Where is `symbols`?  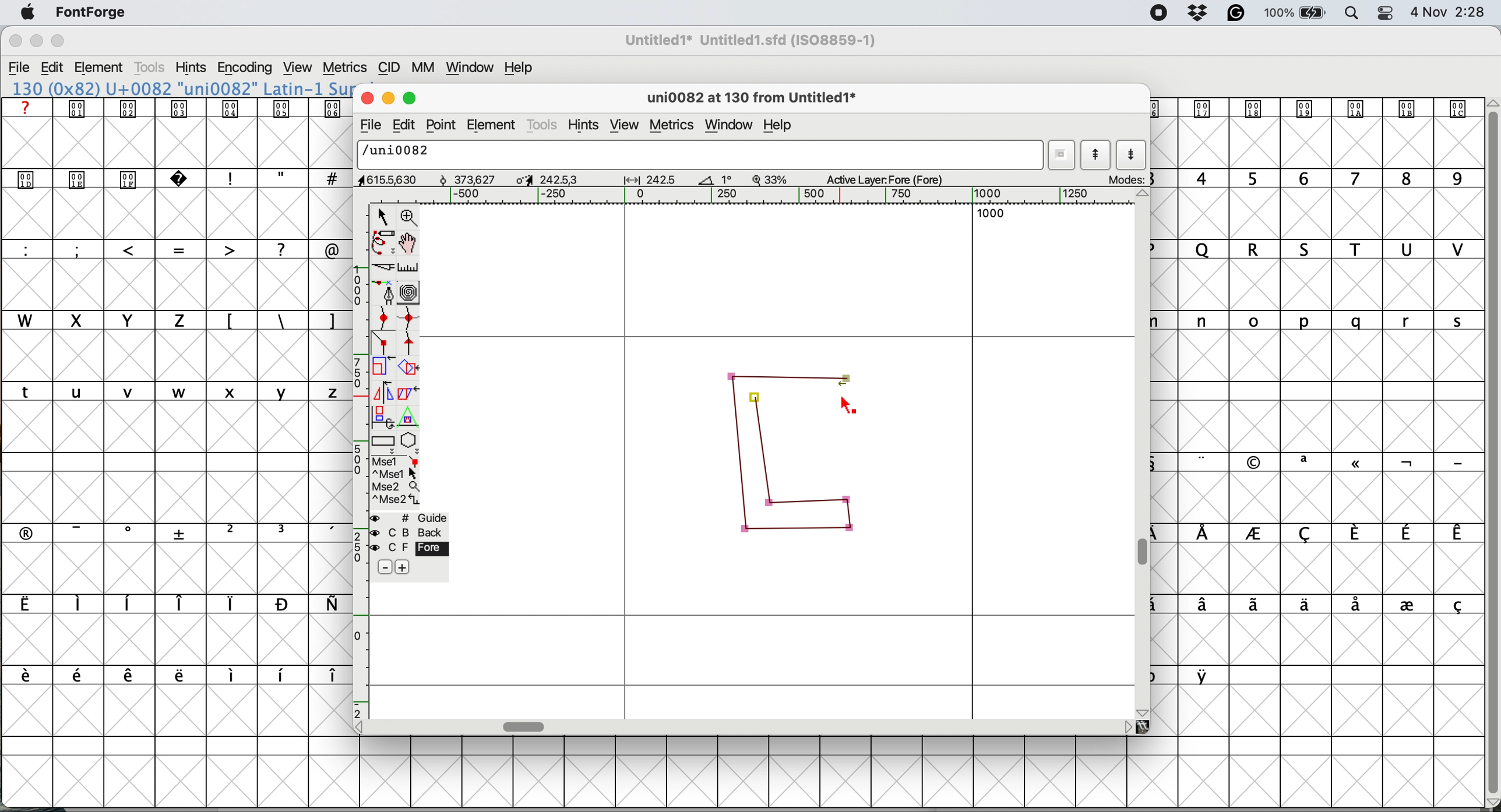 symbols is located at coordinates (179, 108).